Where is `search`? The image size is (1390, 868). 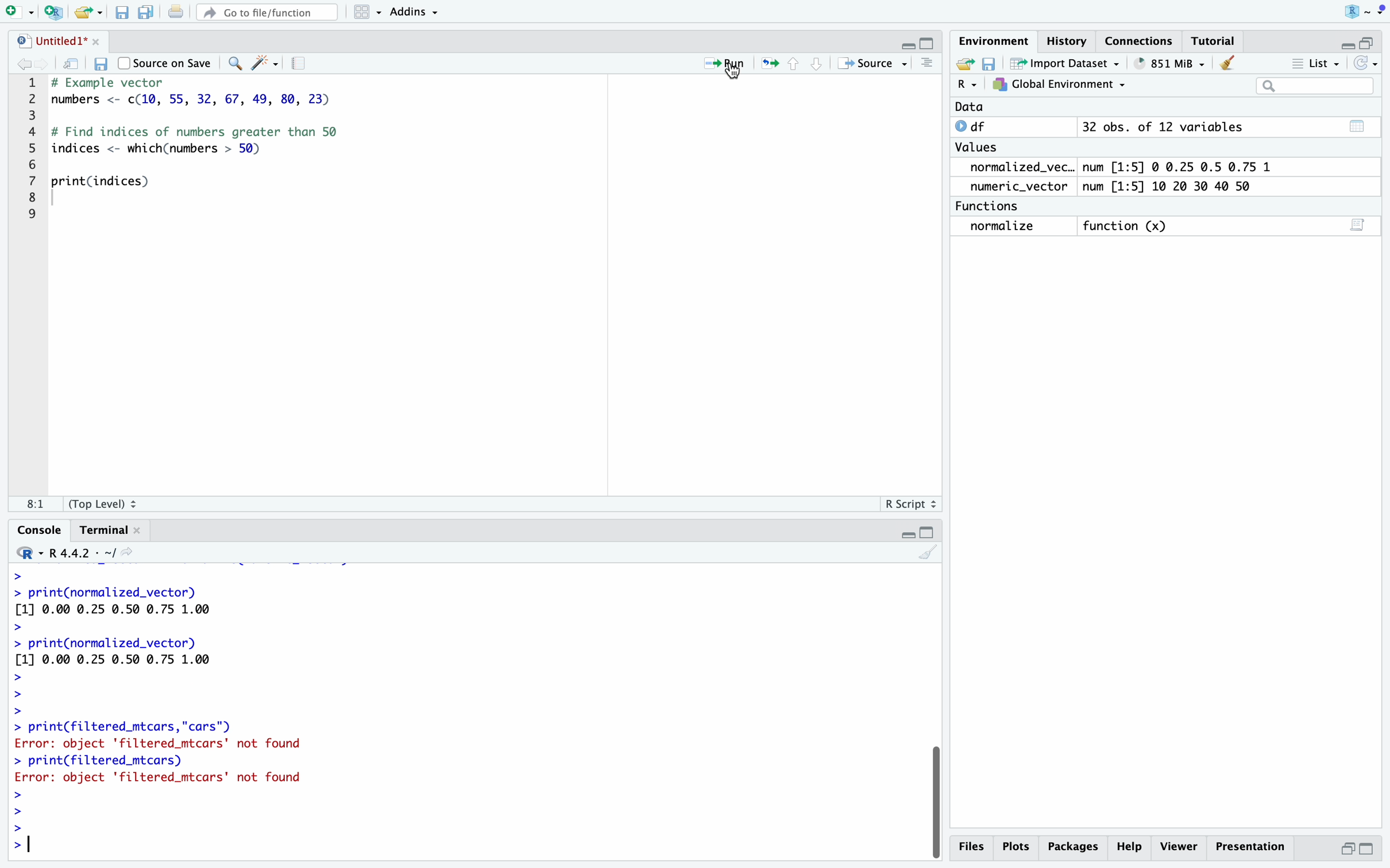 search is located at coordinates (233, 64).